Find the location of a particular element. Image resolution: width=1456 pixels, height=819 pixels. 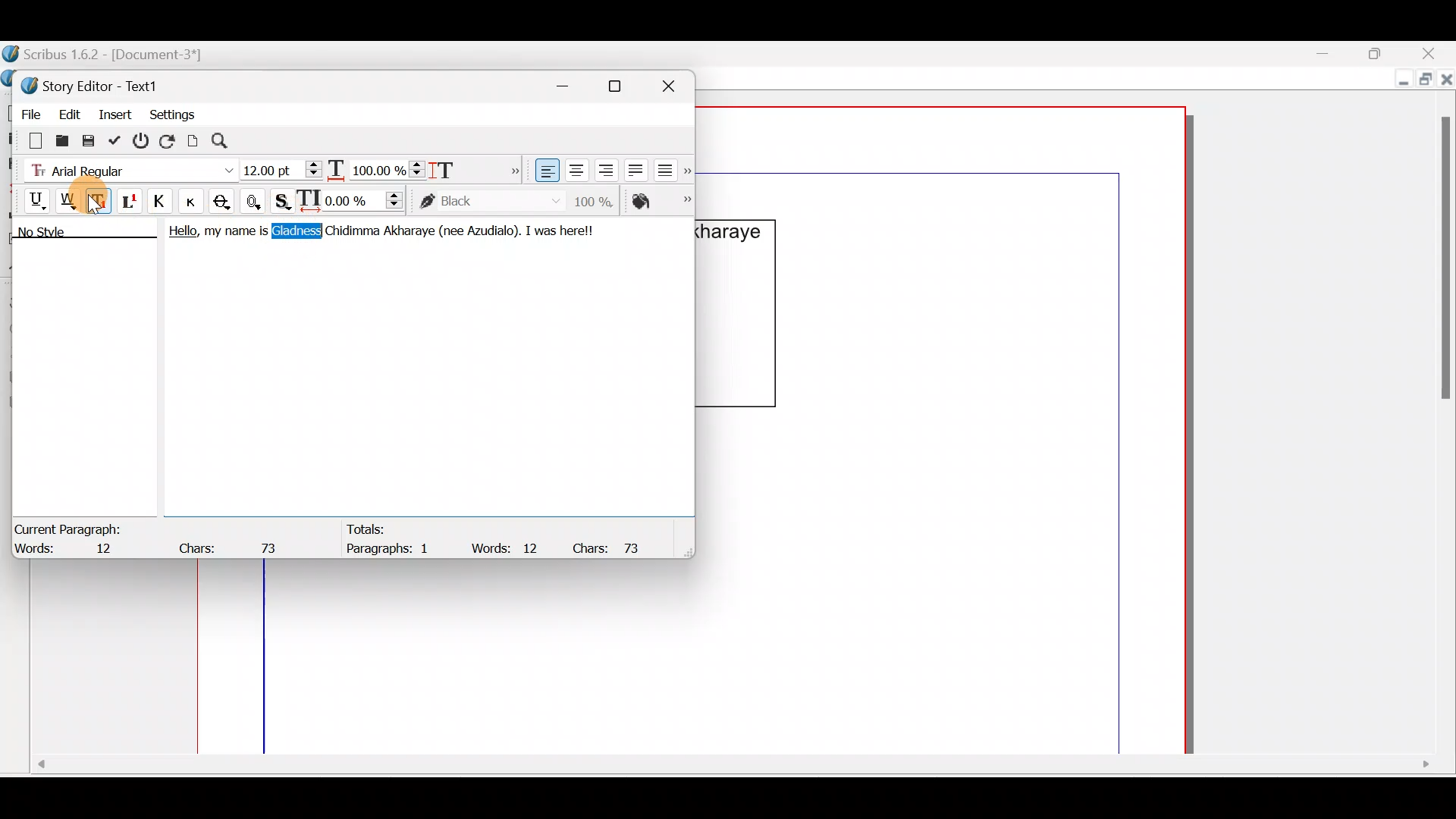

Maximize is located at coordinates (624, 86).